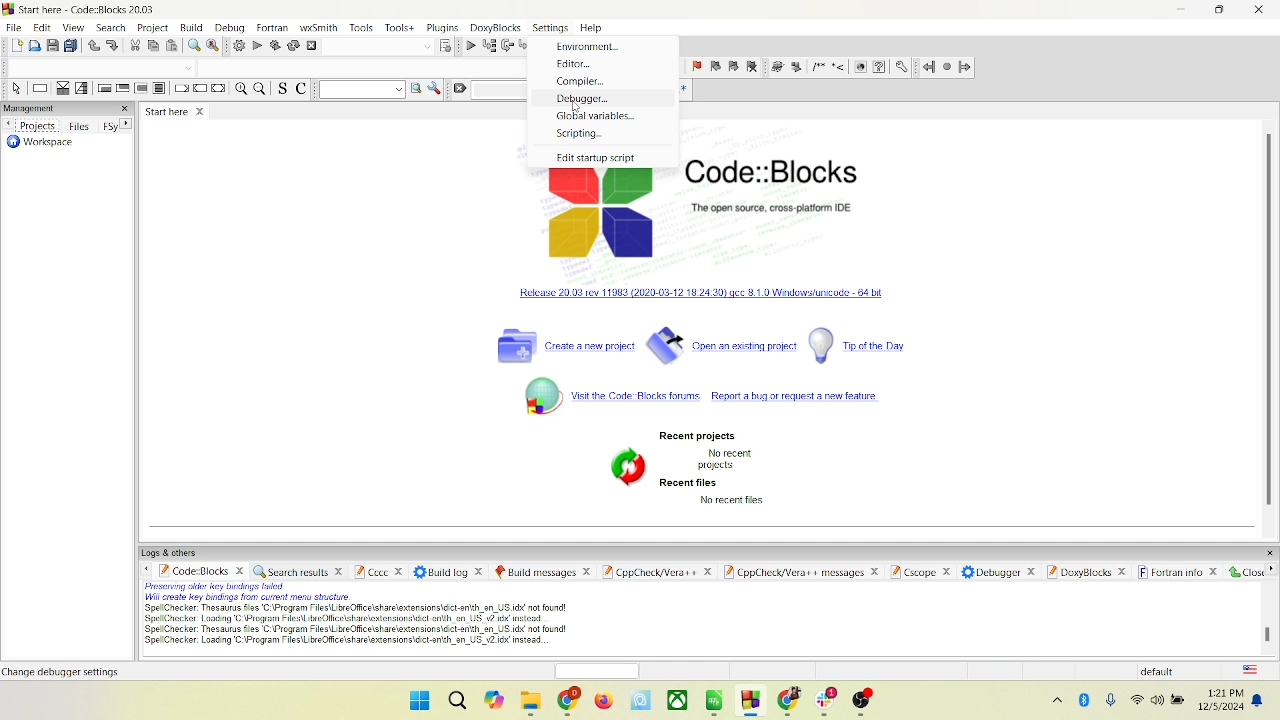 This screenshot has width=1280, height=720. I want to click on settings, so click(899, 65).